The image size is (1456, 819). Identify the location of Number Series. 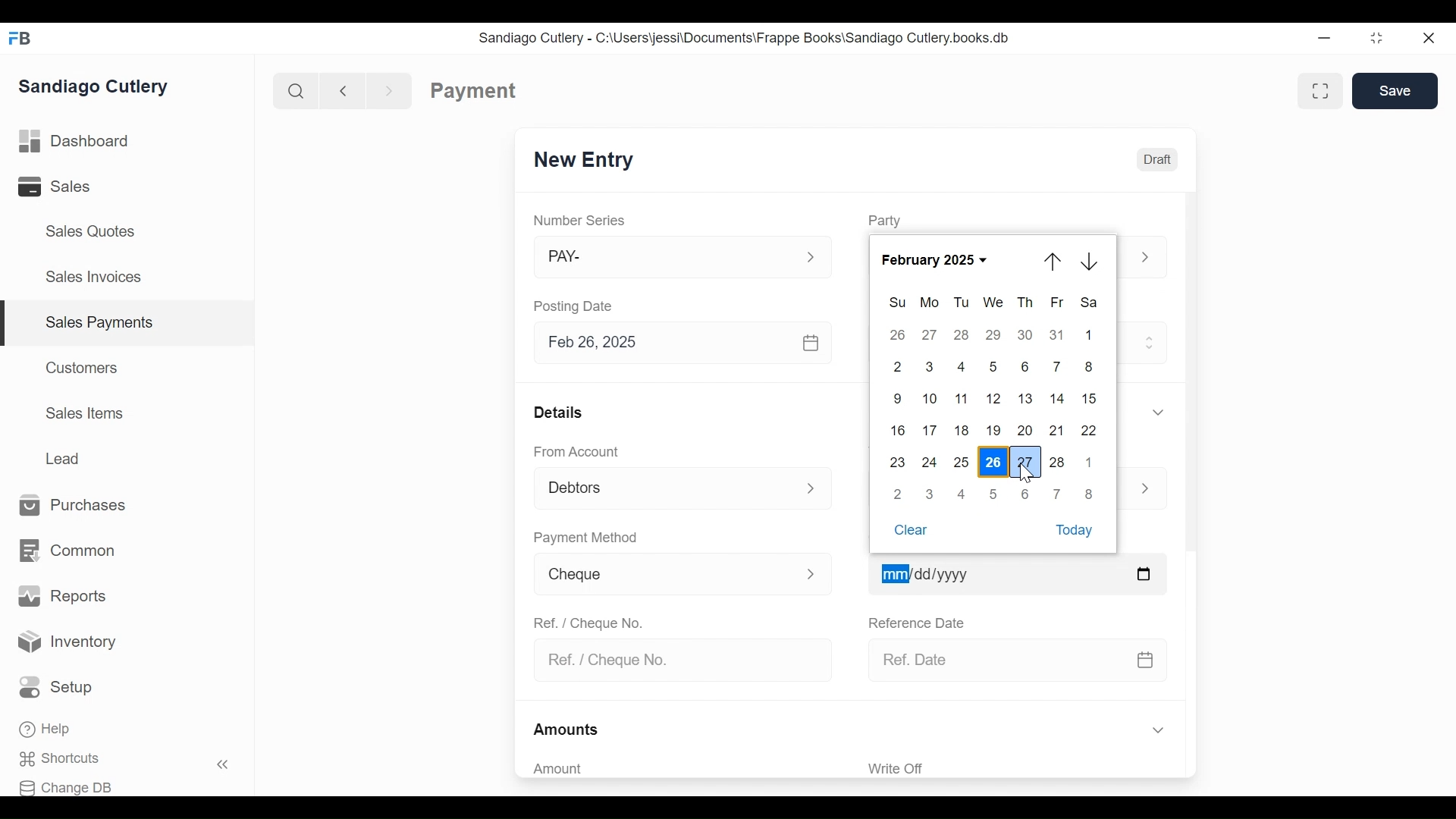
(581, 221).